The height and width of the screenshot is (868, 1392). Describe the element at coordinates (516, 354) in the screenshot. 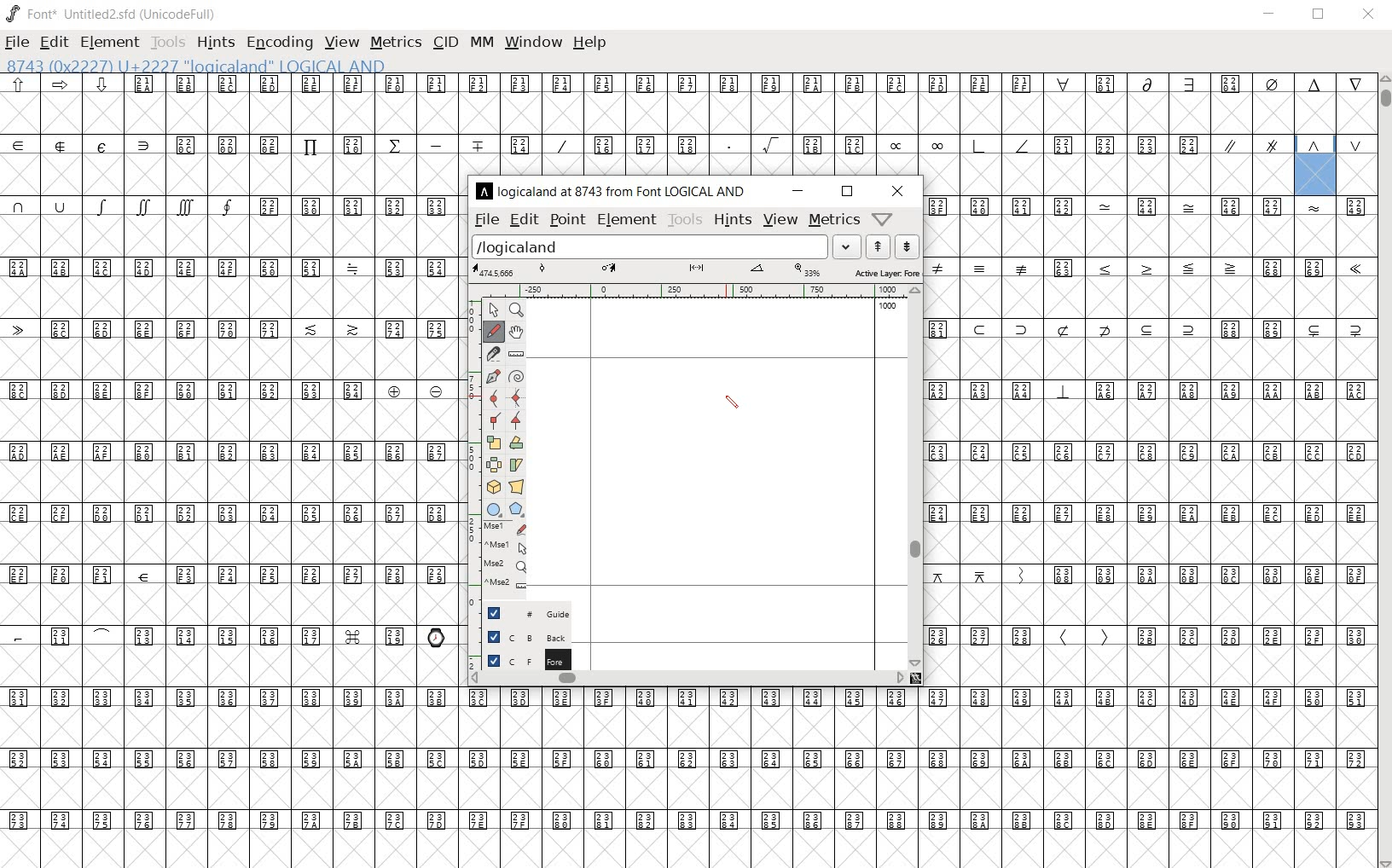

I see `measure a distance, angle between points` at that location.